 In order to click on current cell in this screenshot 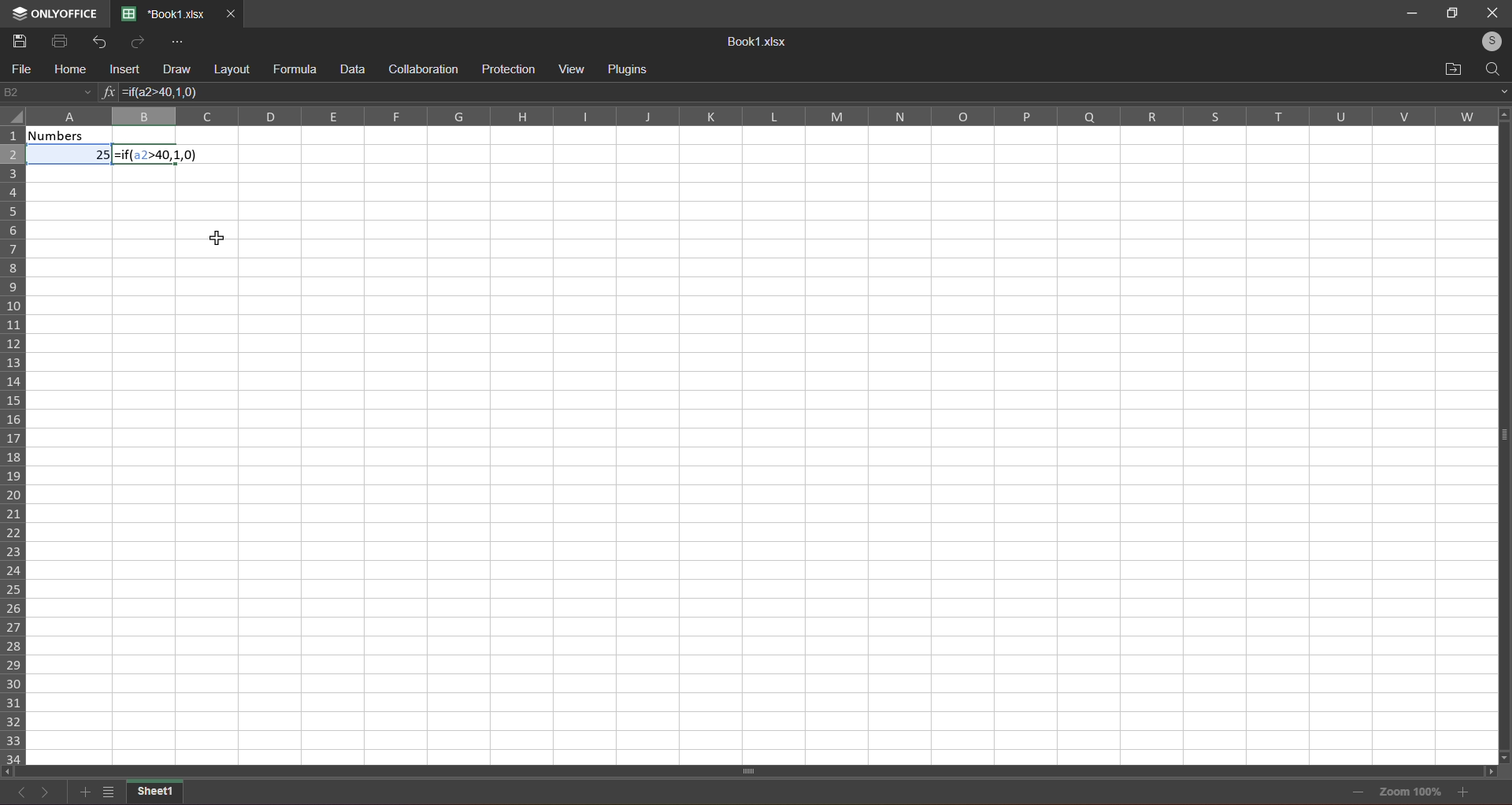, I will do `click(47, 93)`.